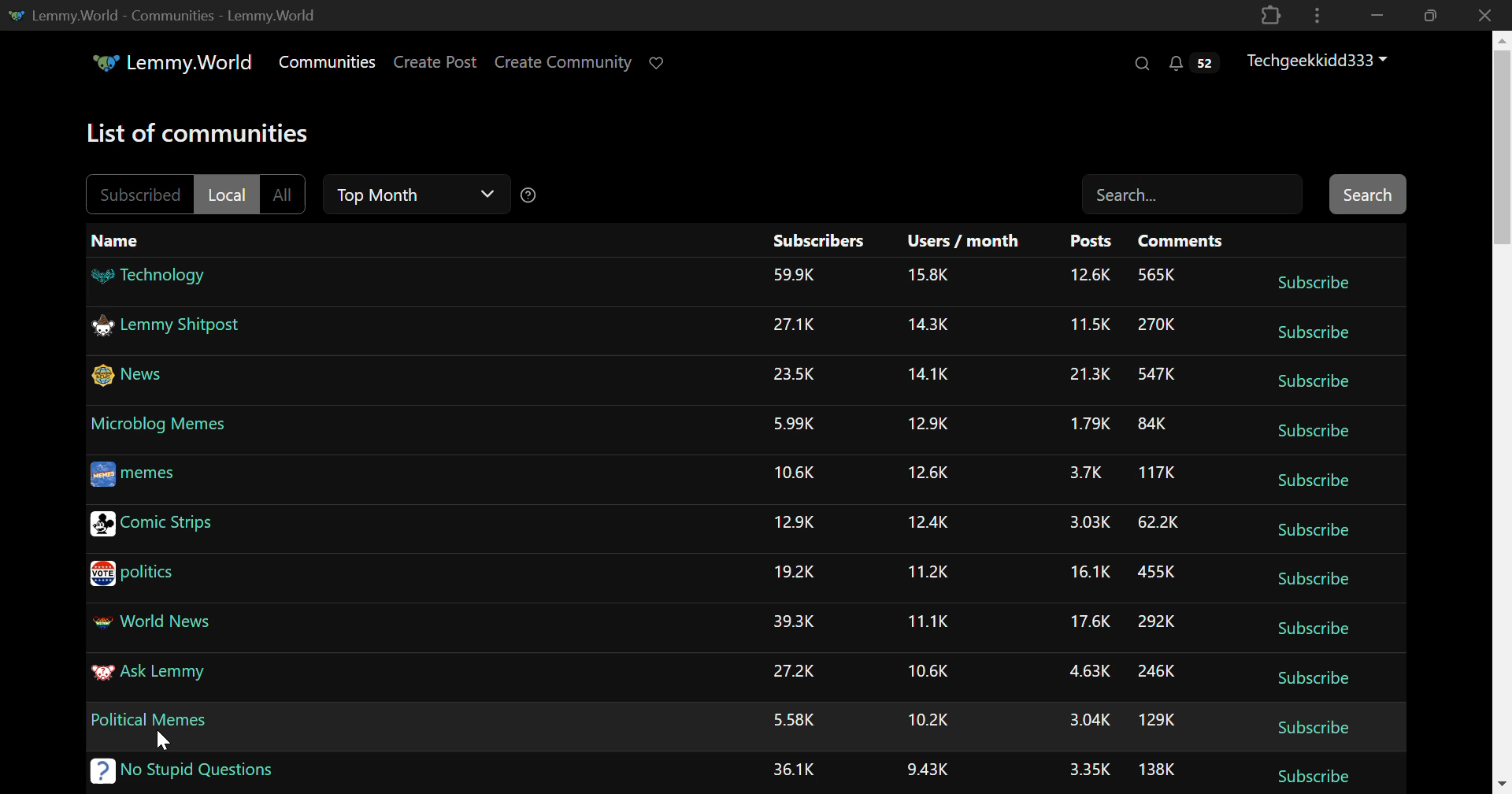  Describe the element at coordinates (932, 718) in the screenshot. I see `Amount` at that location.